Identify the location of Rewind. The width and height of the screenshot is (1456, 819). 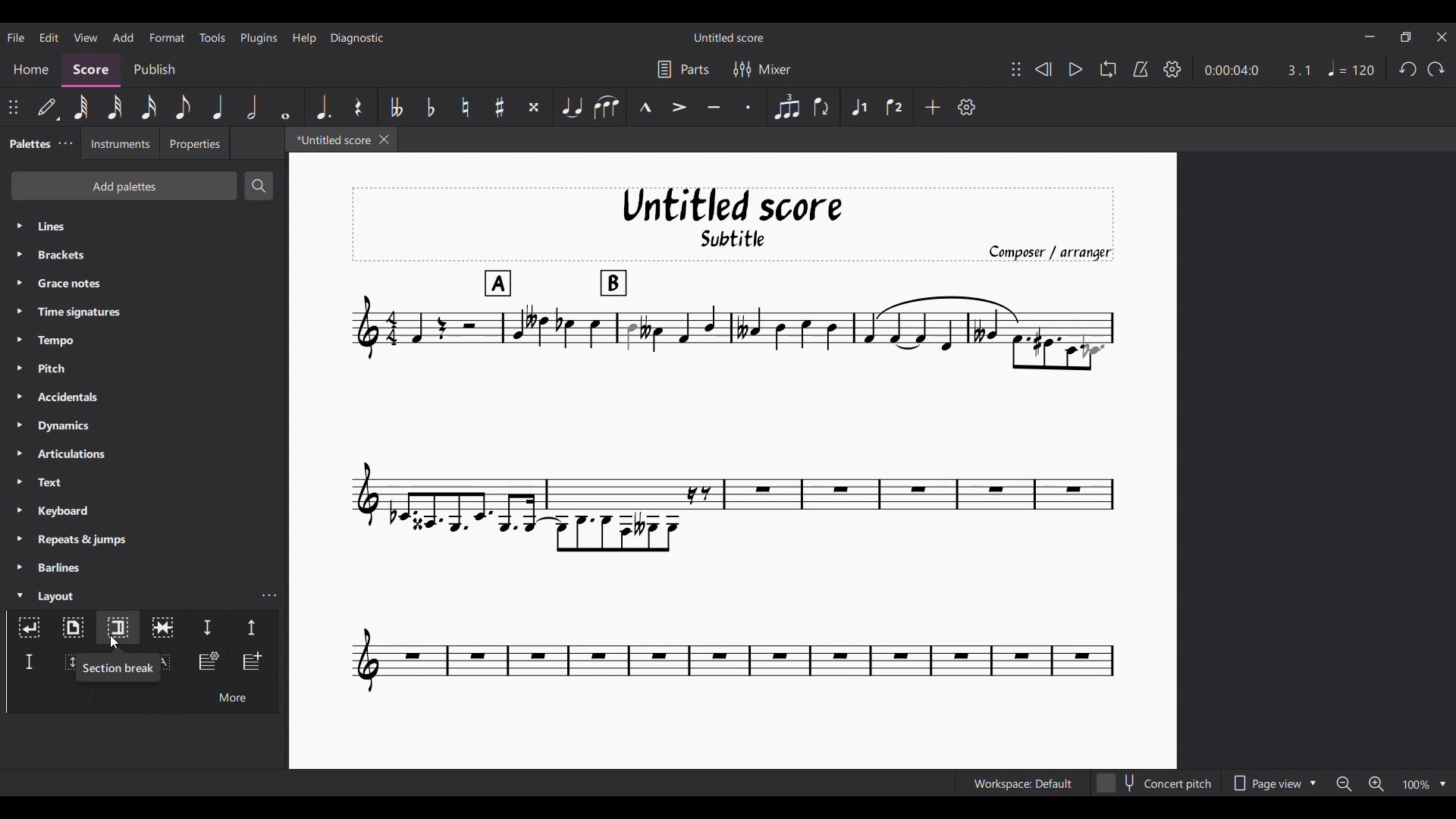
(1043, 69).